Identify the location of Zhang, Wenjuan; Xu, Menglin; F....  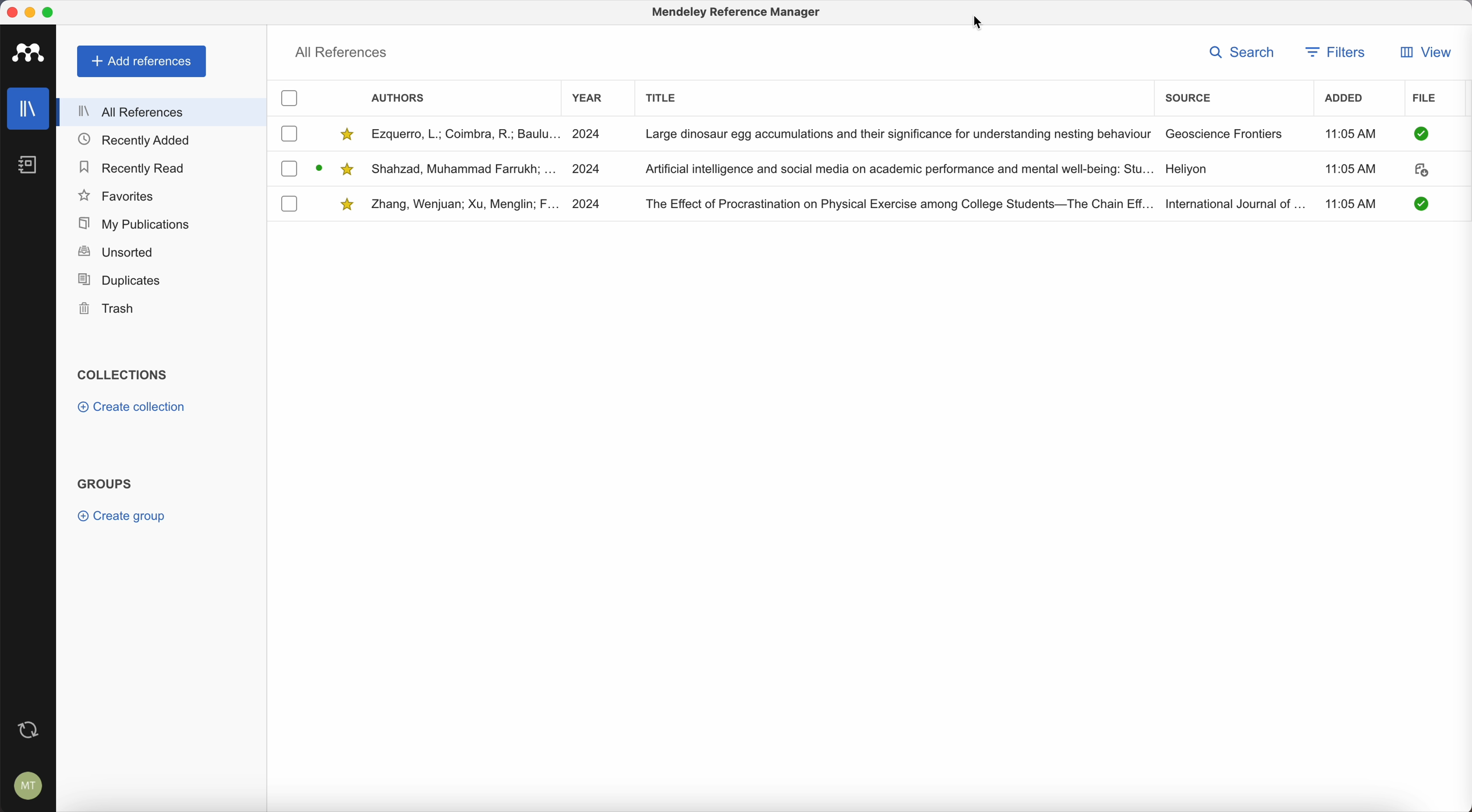
(466, 205).